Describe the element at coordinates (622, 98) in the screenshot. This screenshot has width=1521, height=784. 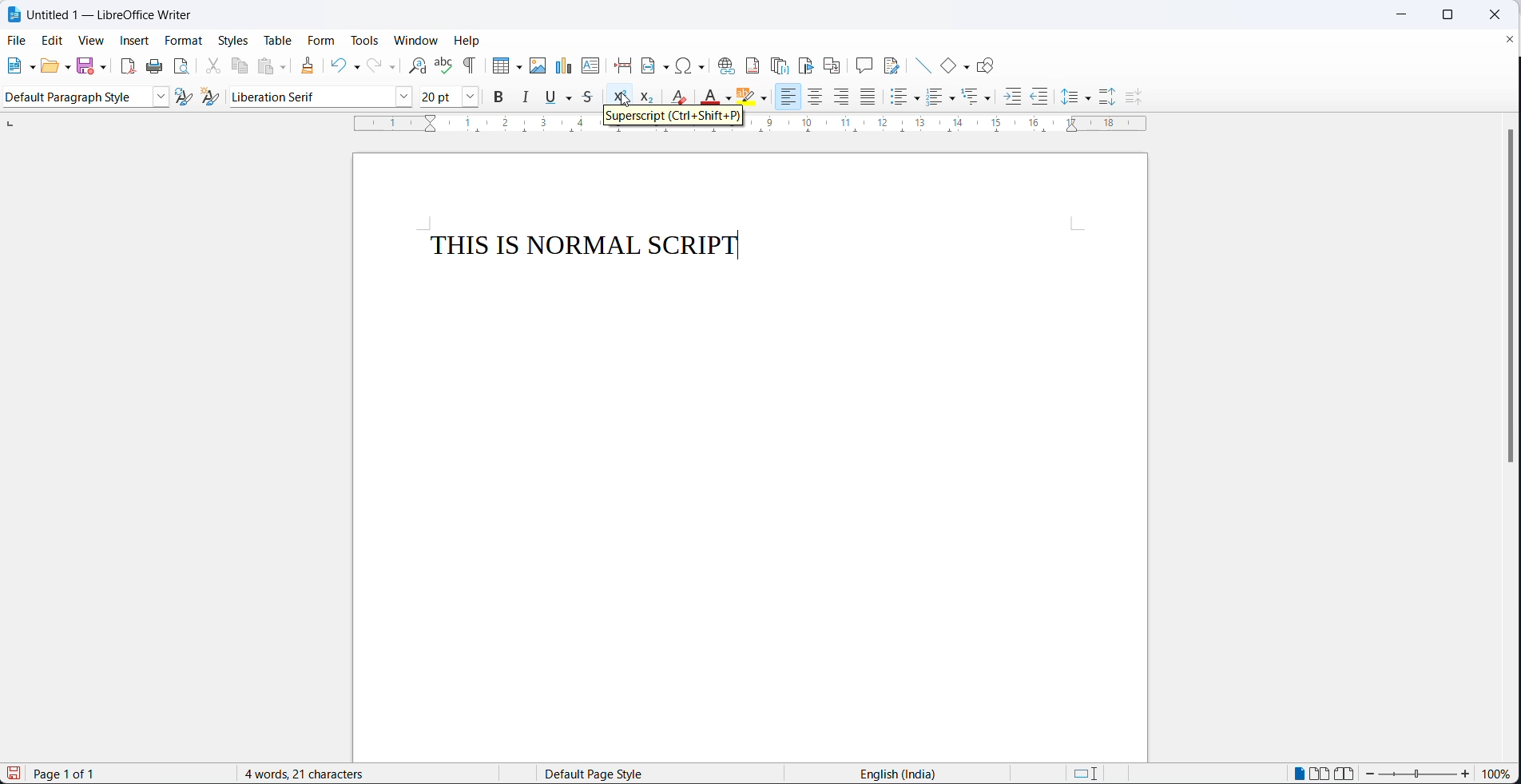
I see `superscript` at that location.